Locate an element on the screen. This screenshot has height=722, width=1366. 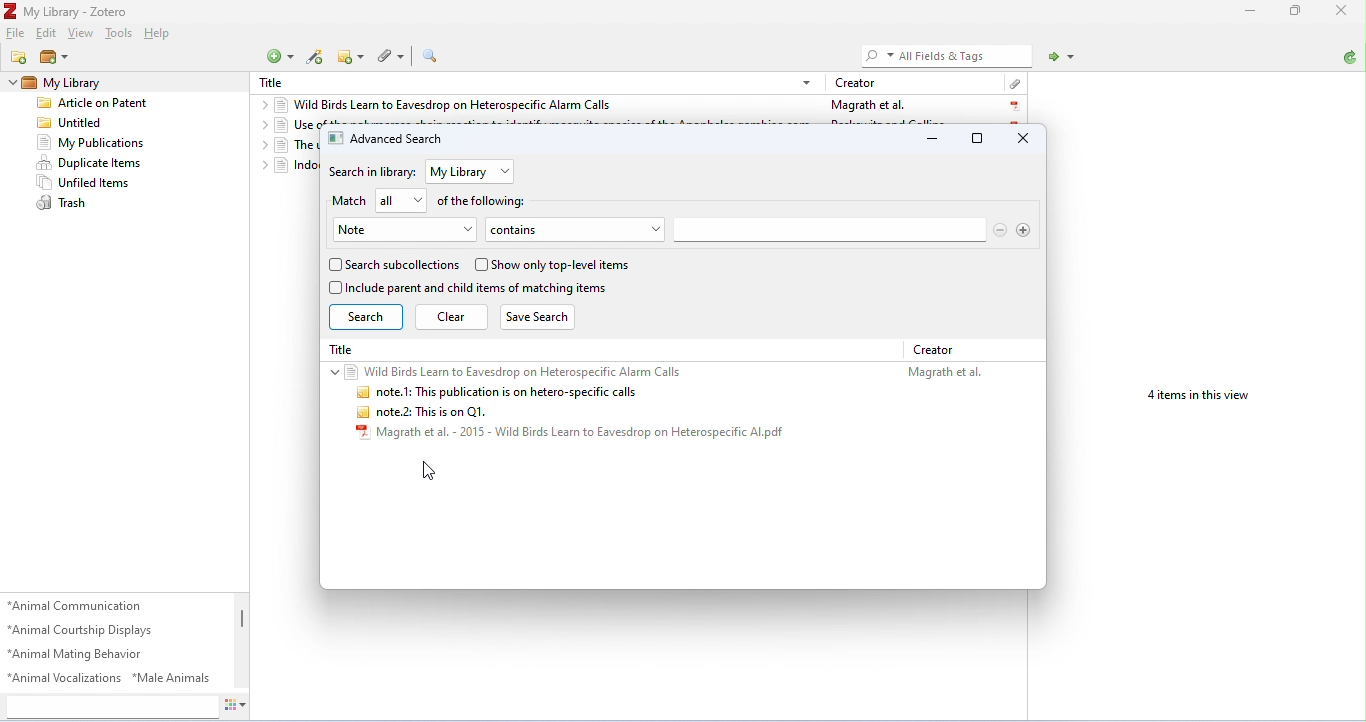
add search option is located at coordinates (1024, 229).